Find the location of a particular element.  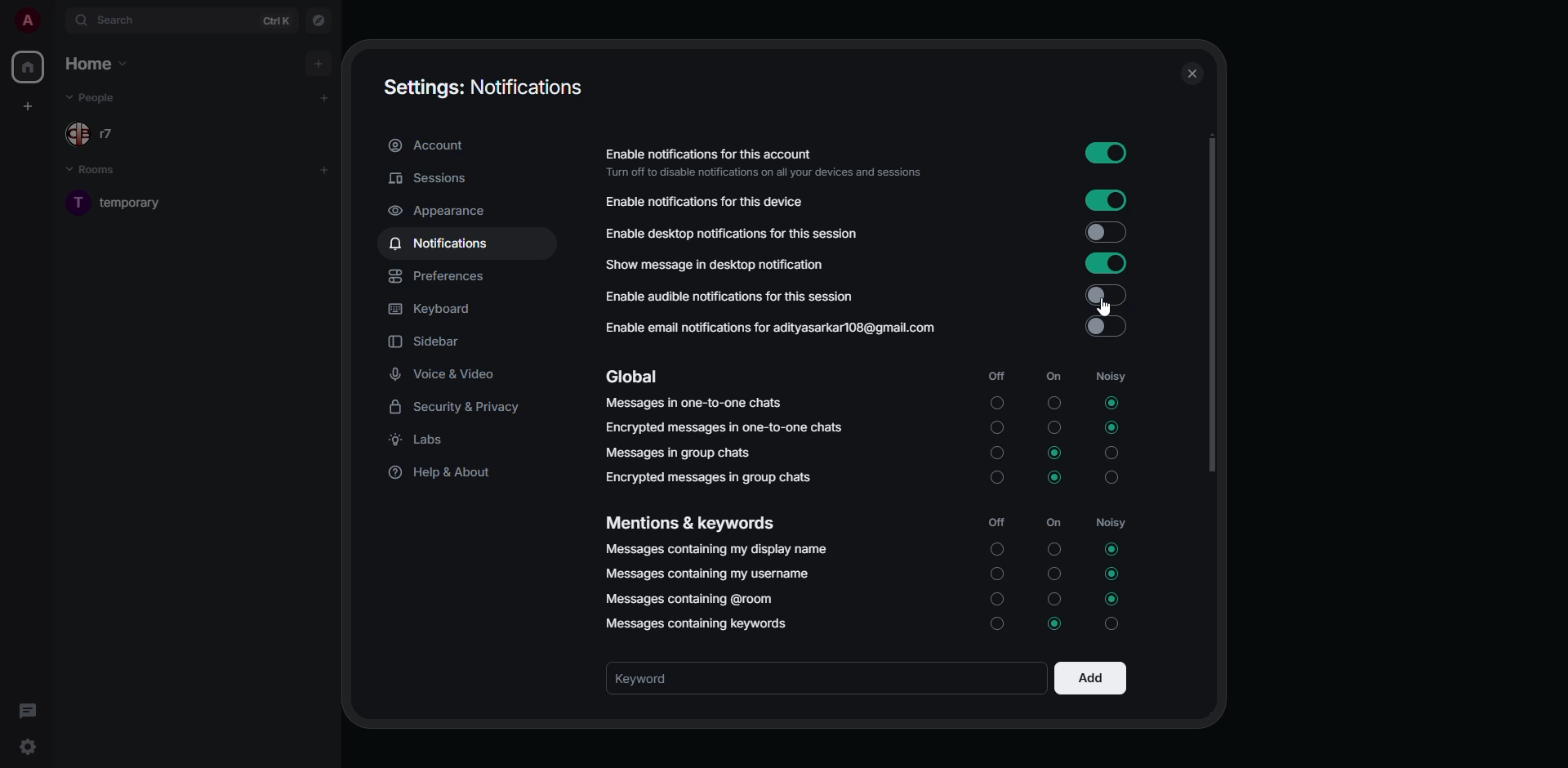

add is located at coordinates (323, 170).